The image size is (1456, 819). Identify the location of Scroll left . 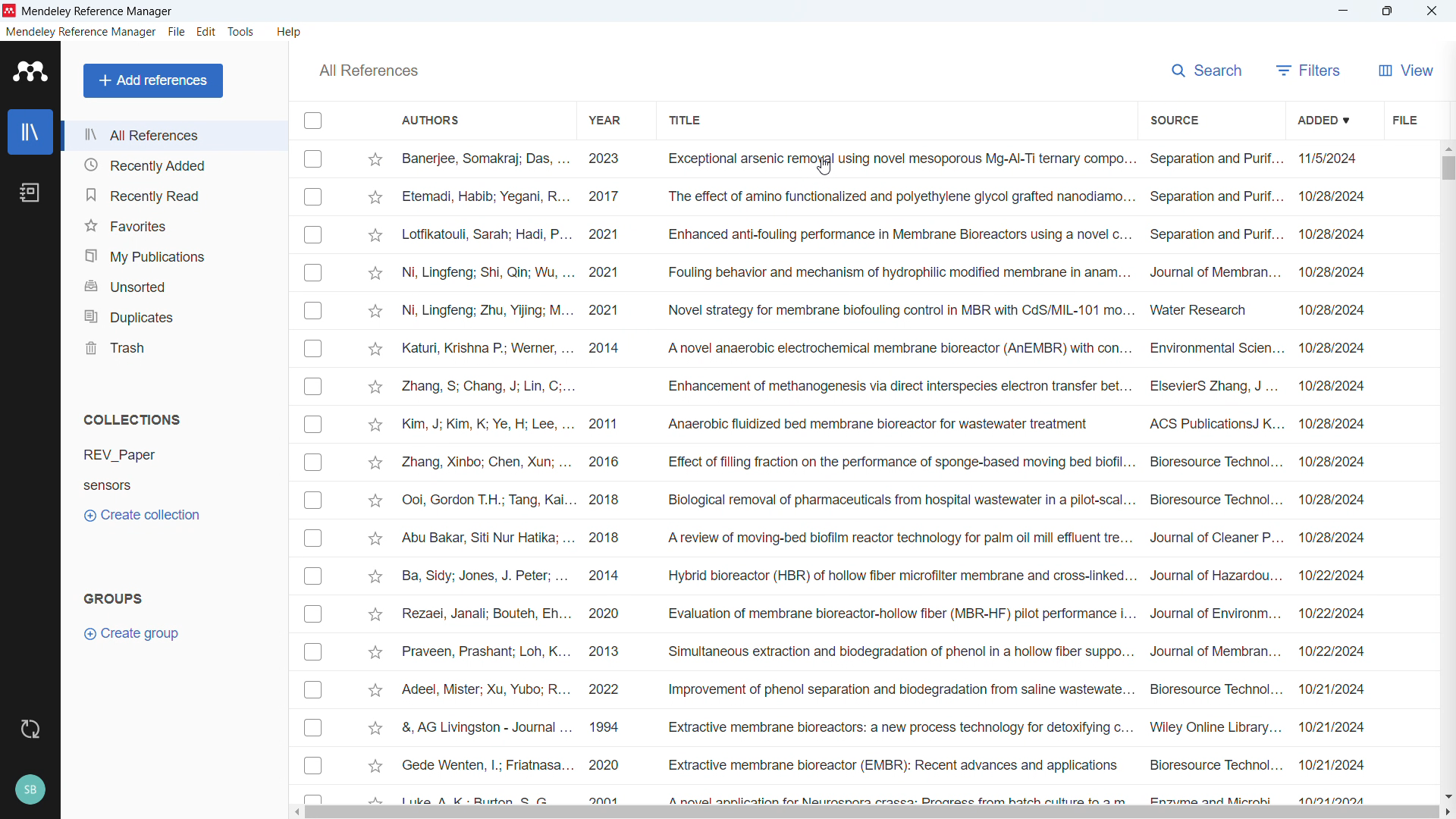
(294, 813).